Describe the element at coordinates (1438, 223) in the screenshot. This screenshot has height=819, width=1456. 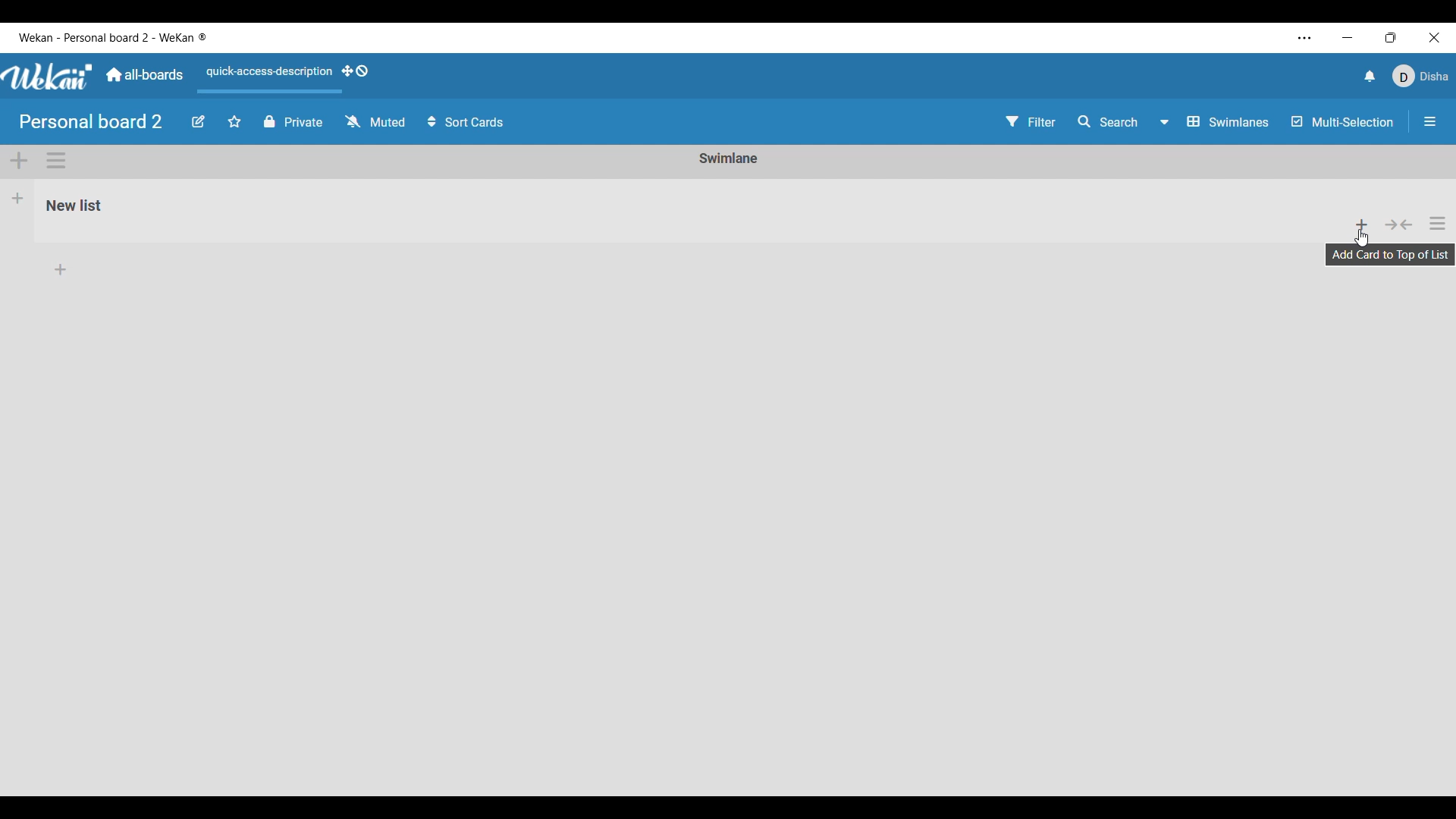
I see `List actions` at that location.